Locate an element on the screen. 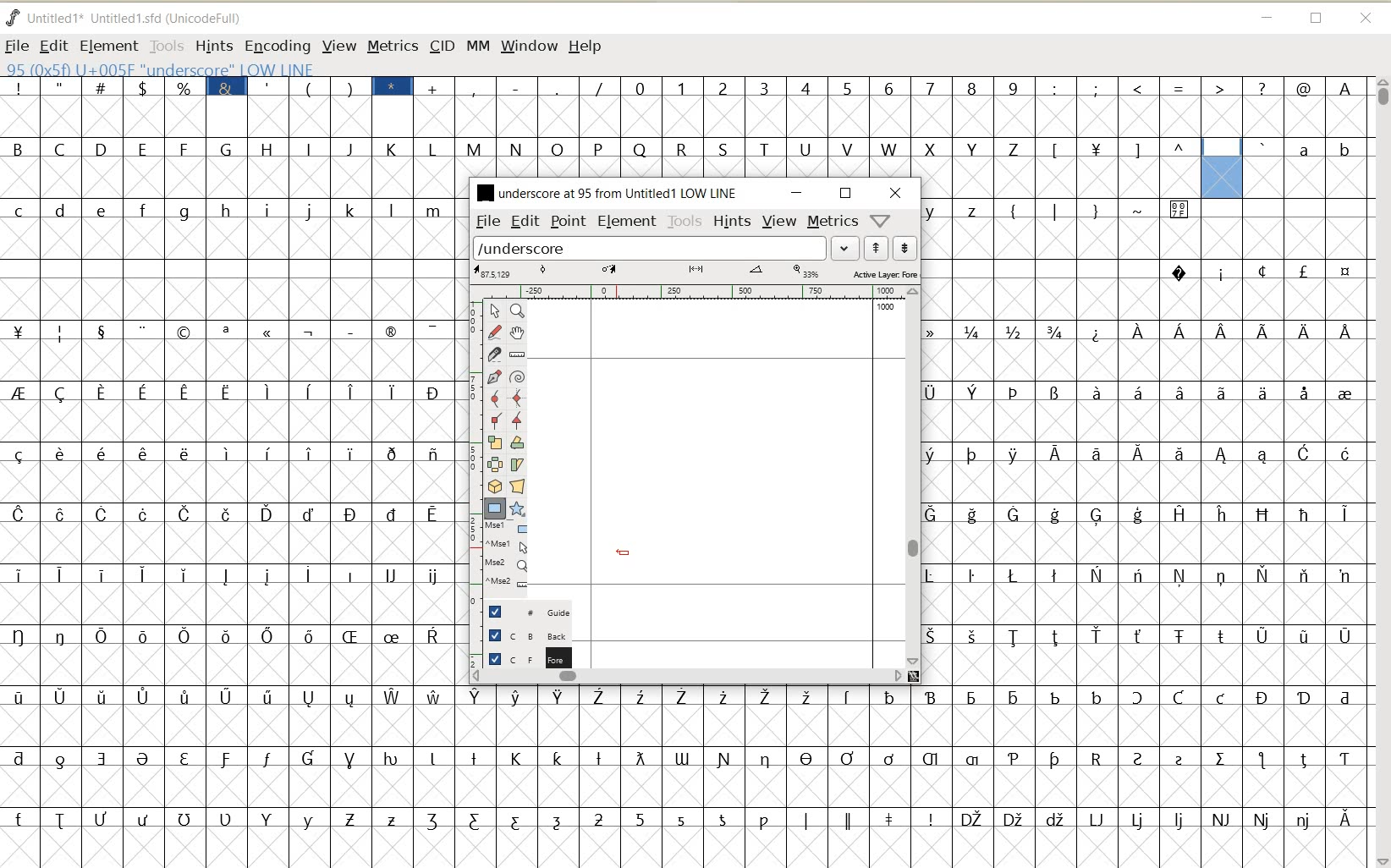 The width and height of the screenshot is (1391, 868). CID is located at coordinates (442, 47).